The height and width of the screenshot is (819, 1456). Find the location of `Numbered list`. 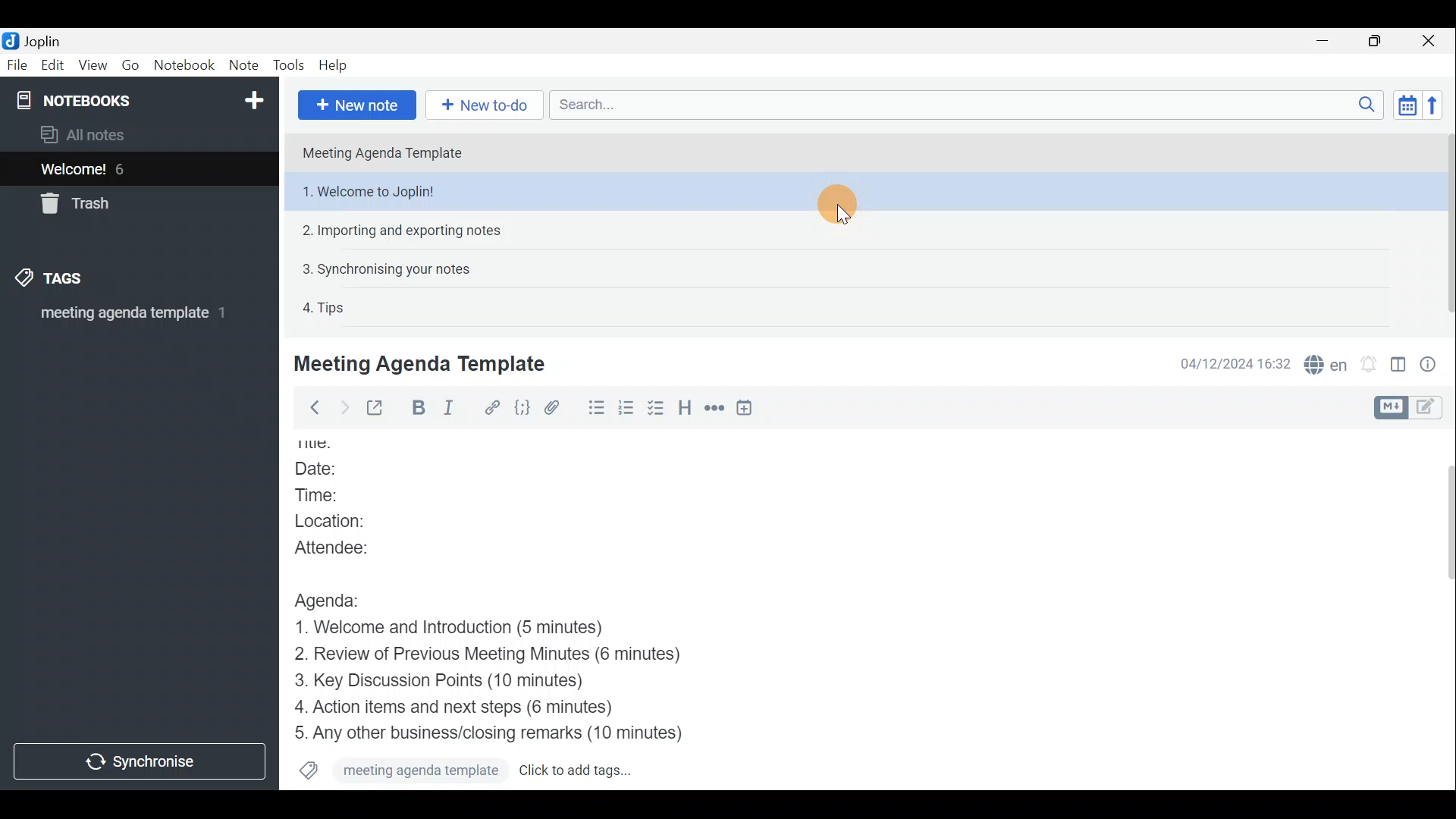

Numbered list is located at coordinates (626, 410).